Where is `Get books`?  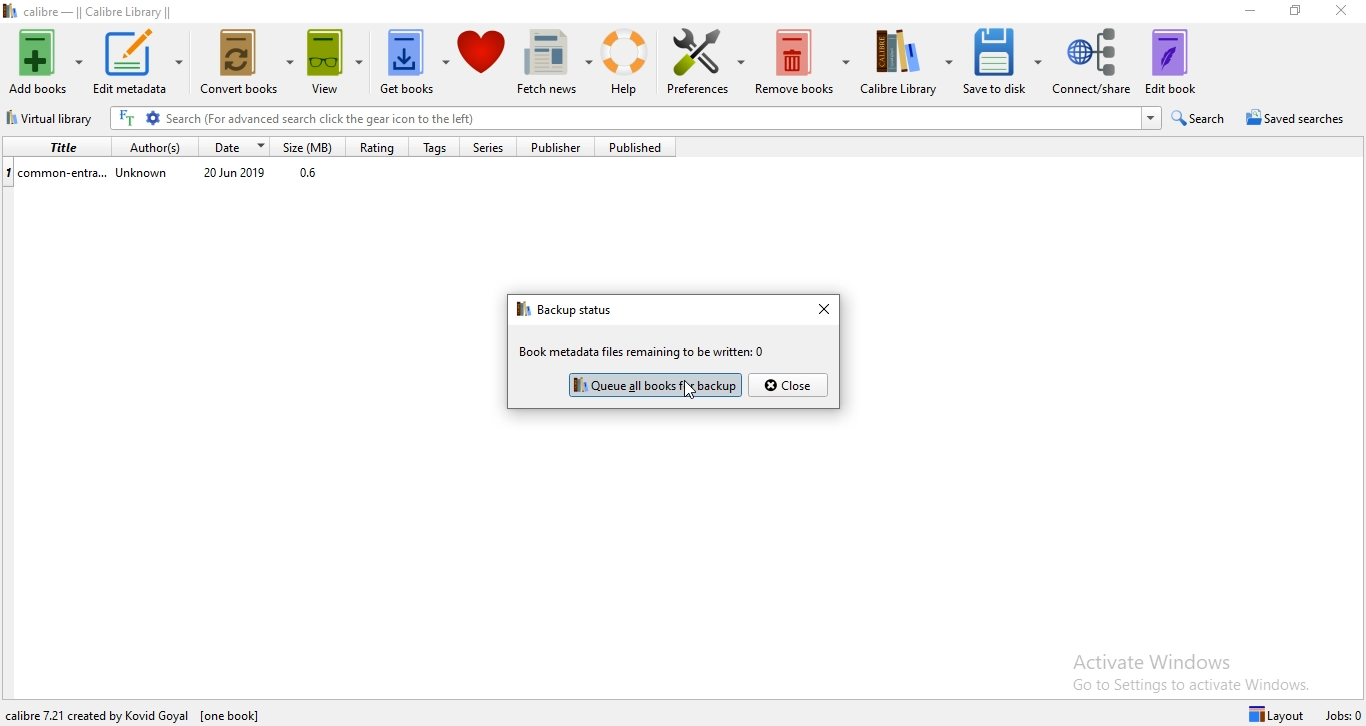 Get books is located at coordinates (414, 65).